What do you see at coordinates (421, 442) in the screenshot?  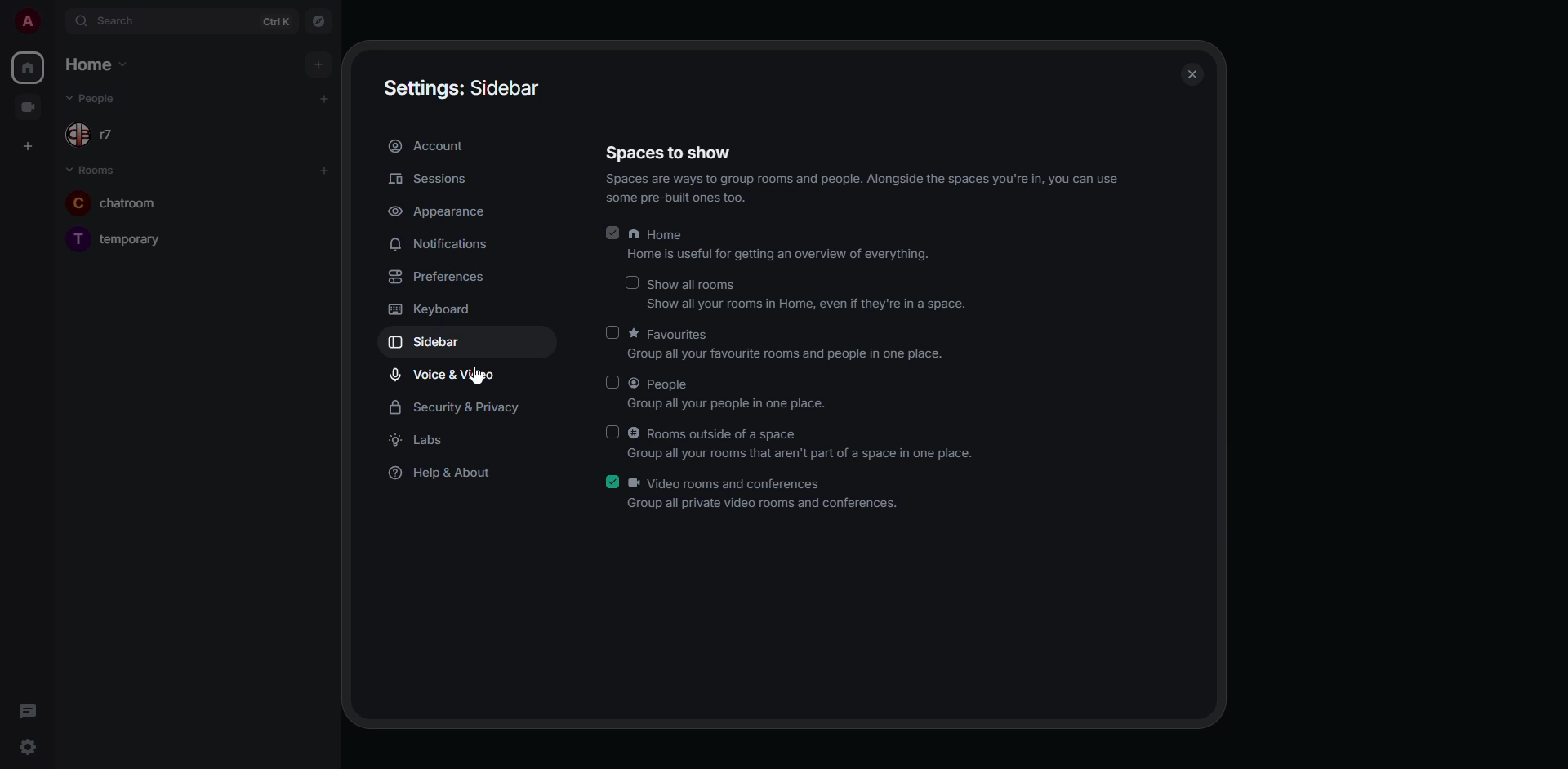 I see `labs` at bounding box center [421, 442].